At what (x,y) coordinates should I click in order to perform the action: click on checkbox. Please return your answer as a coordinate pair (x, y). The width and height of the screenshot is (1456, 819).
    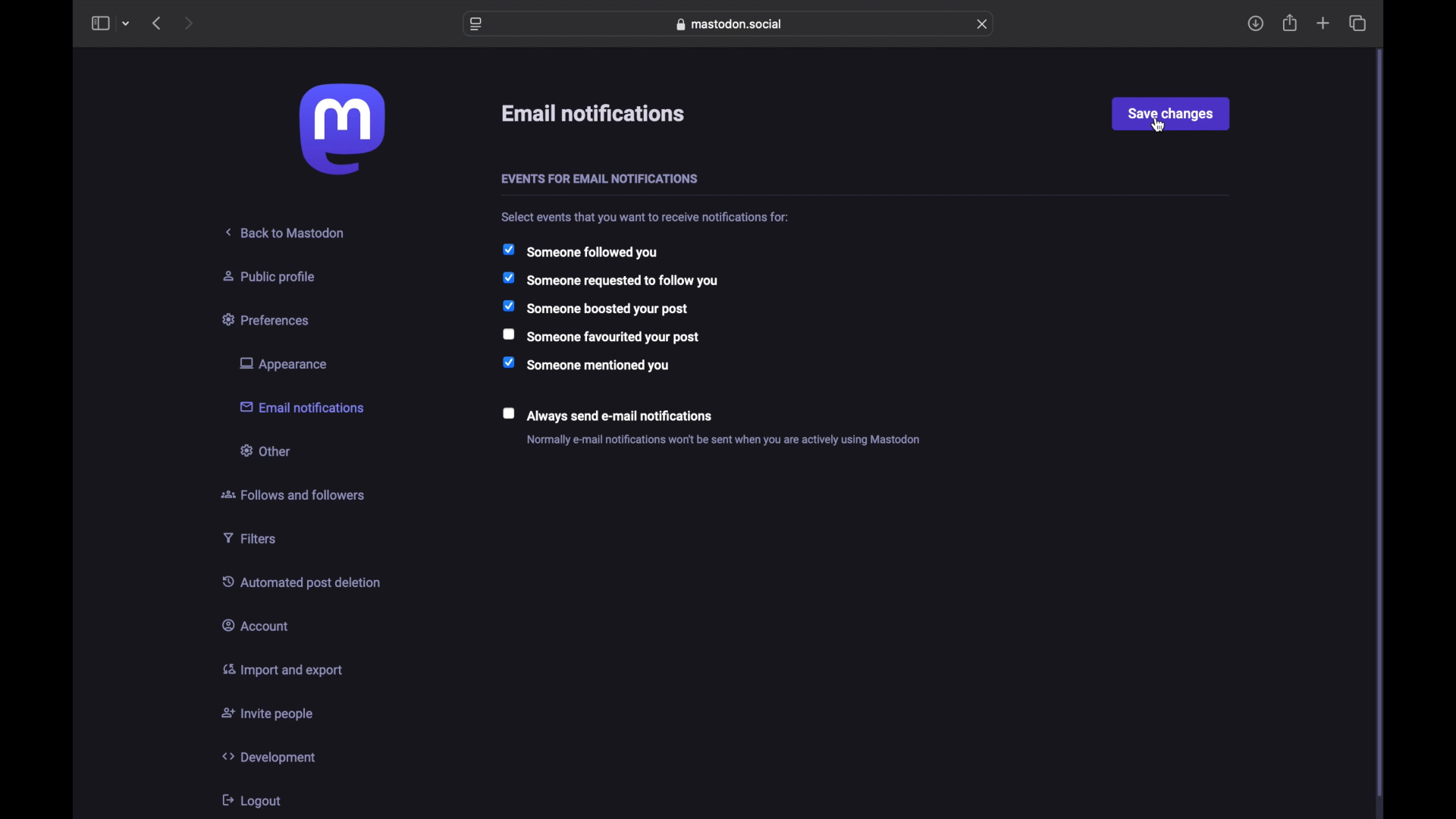
    Looking at the image, I should click on (607, 414).